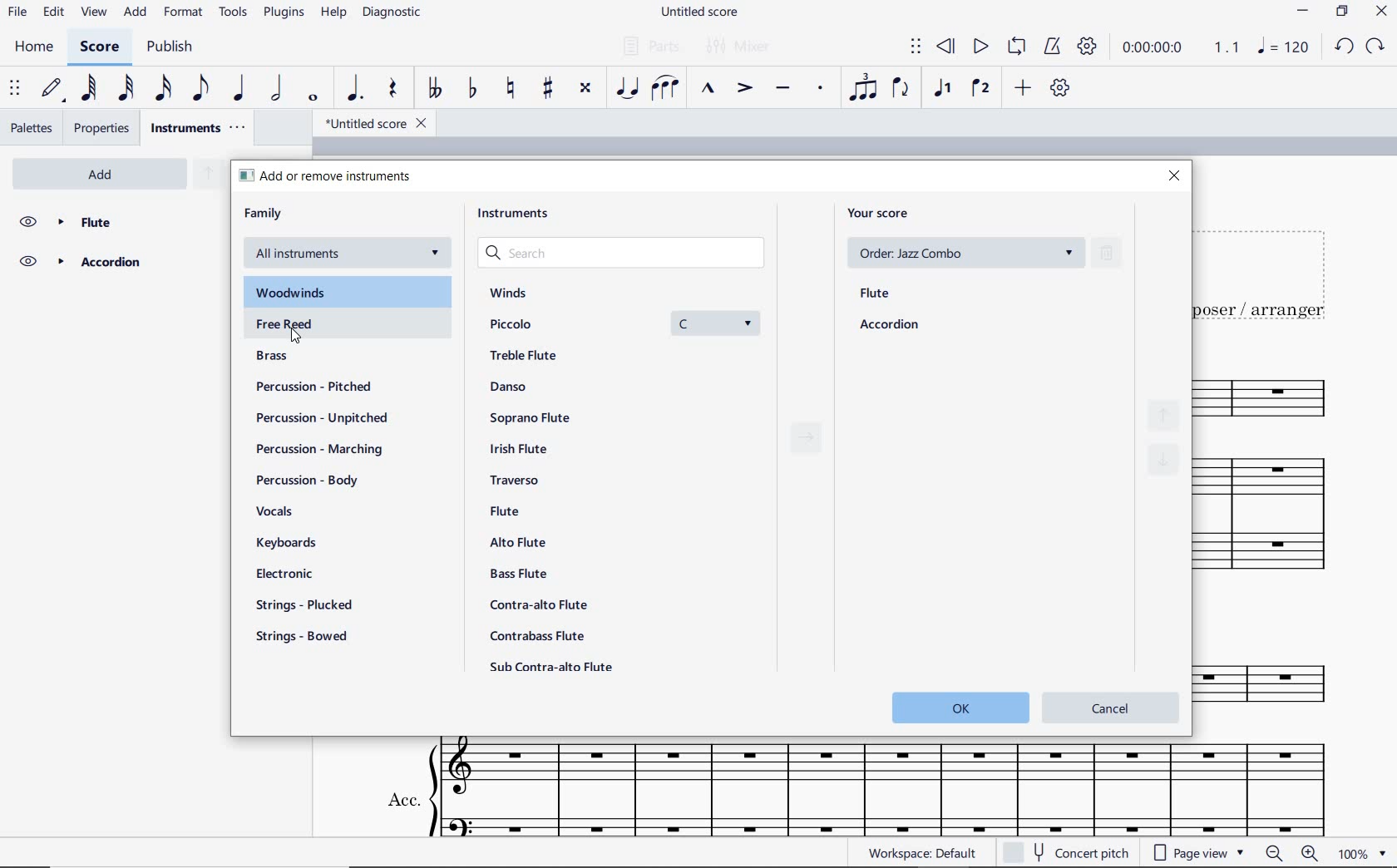 Image resolution: width=1397 pixels, height=868 pixels. Describe the element at coordinates (1062, 88) in the screenshot. I see `customize toolbar` at that location.